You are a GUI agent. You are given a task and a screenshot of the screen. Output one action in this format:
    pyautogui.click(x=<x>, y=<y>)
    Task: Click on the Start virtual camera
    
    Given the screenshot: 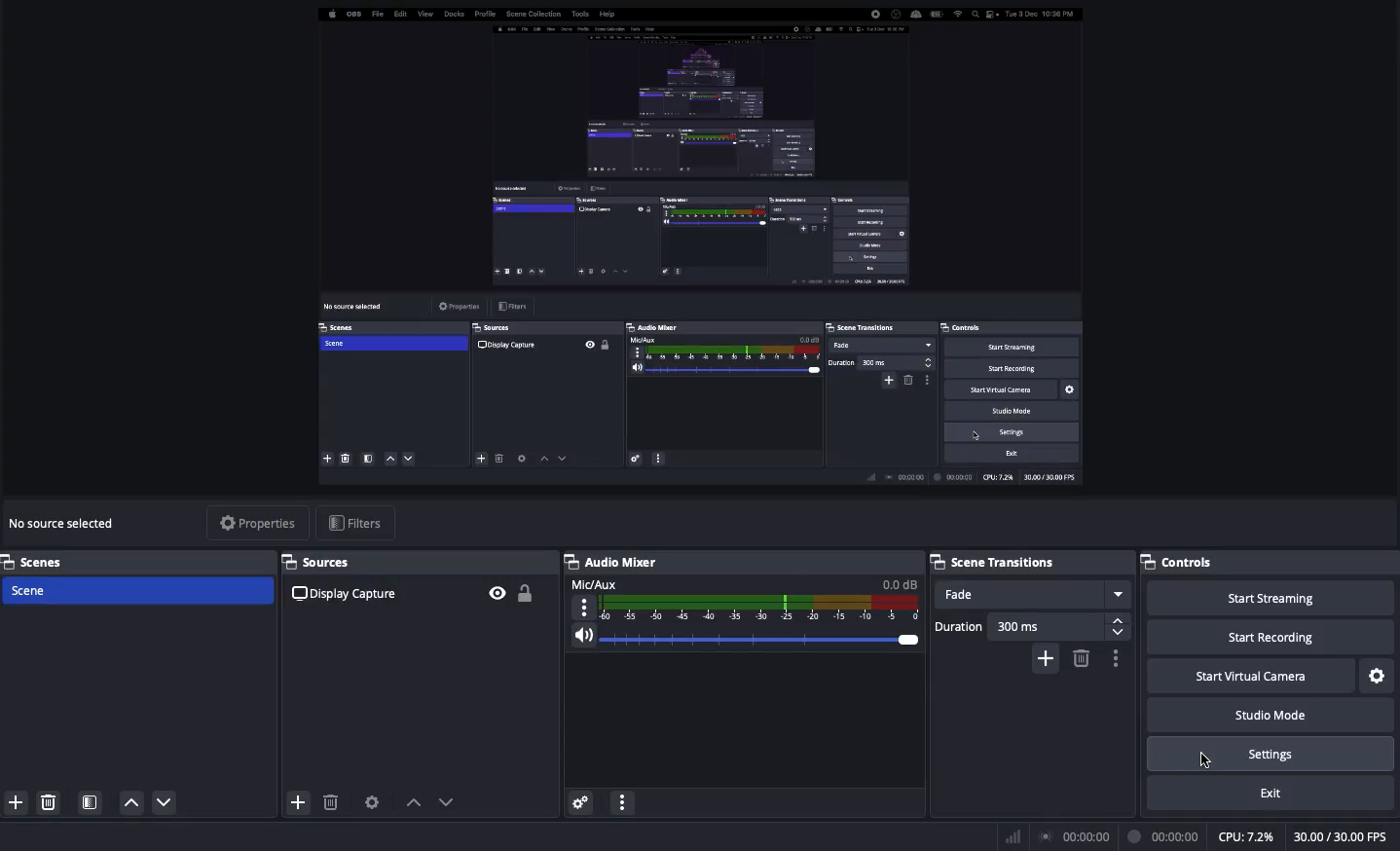 What is the action you would take?
    pyautogui.click(x=1250, y=678)
    